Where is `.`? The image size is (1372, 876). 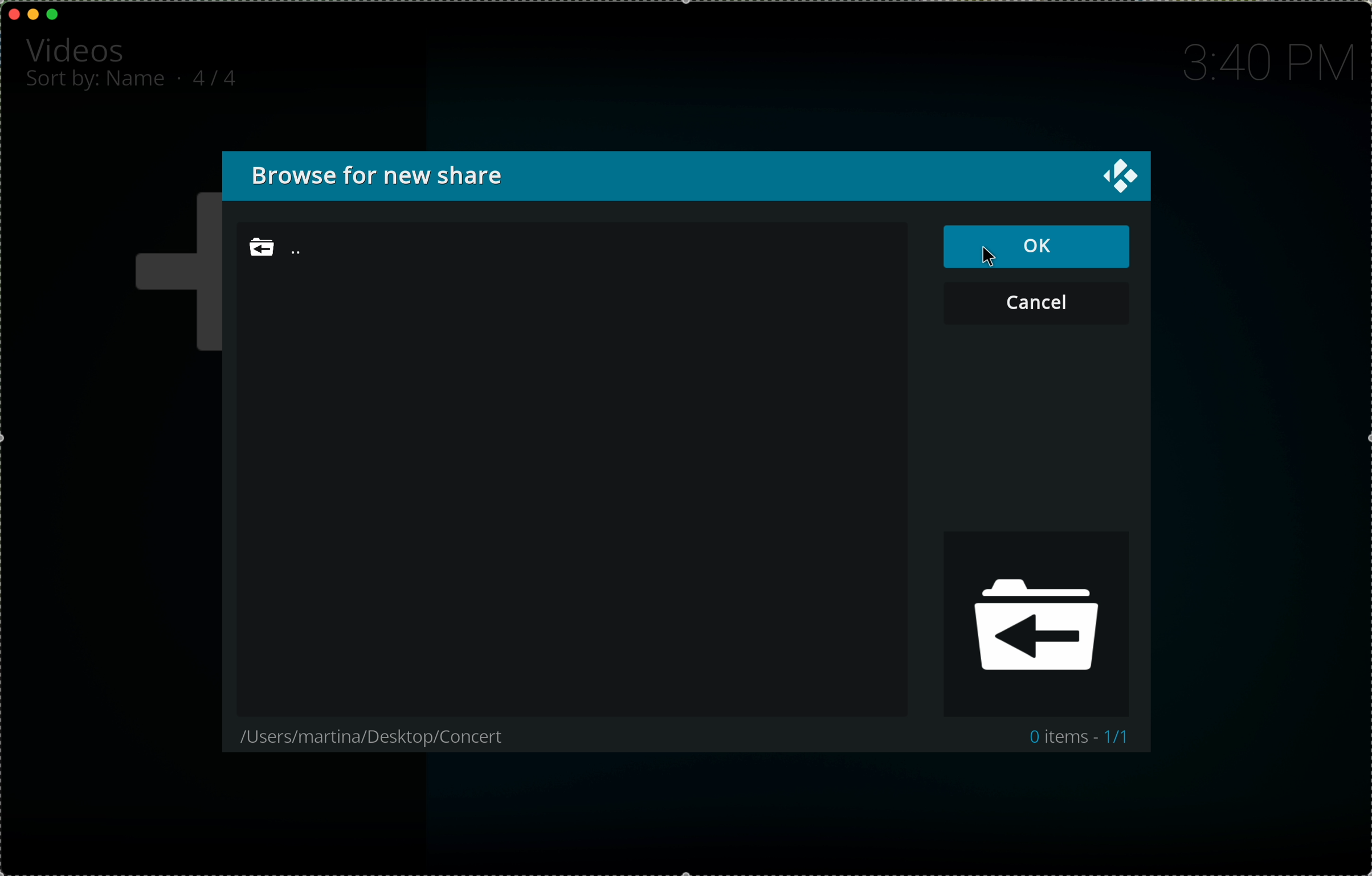 . is located at coordinates (182, 77).